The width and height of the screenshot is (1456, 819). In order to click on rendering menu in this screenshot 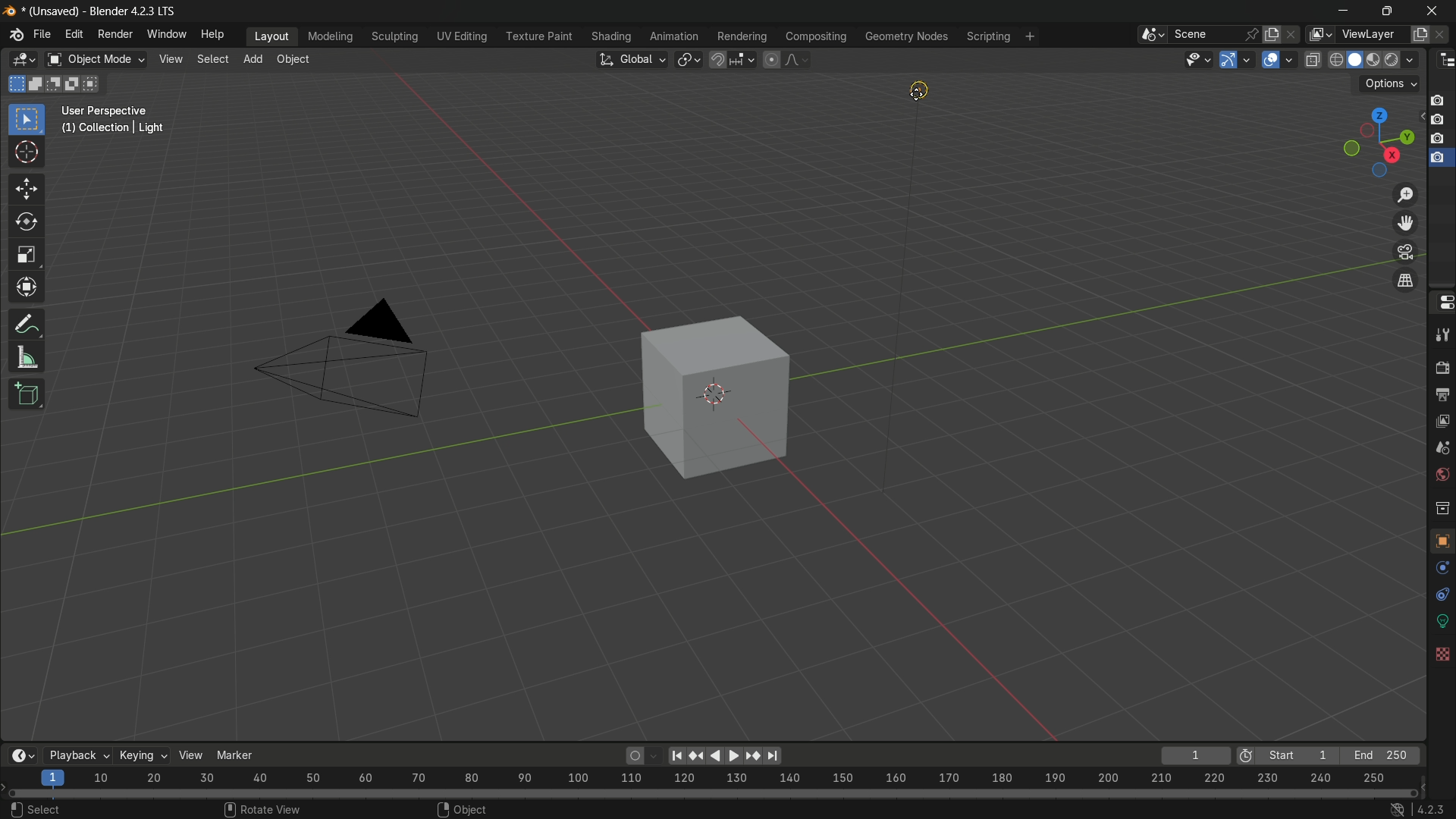, I will do `click(742, 36)`.